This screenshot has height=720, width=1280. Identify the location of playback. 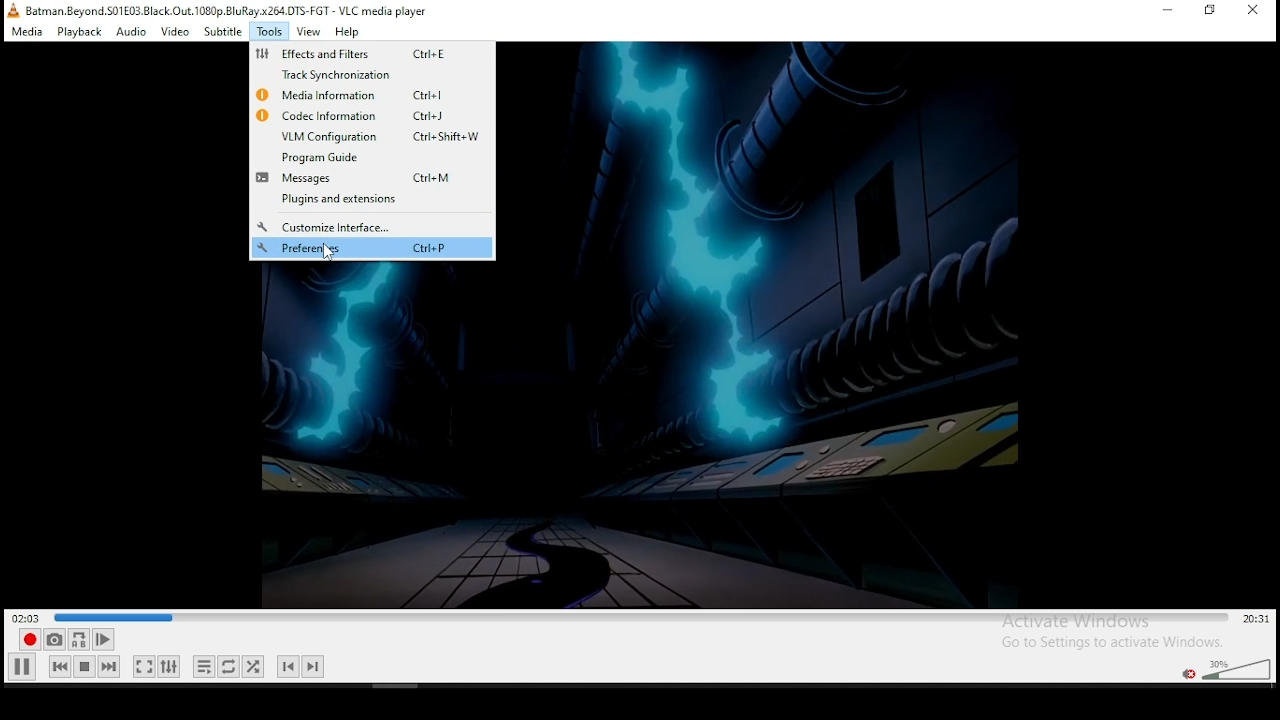
(78, 31).